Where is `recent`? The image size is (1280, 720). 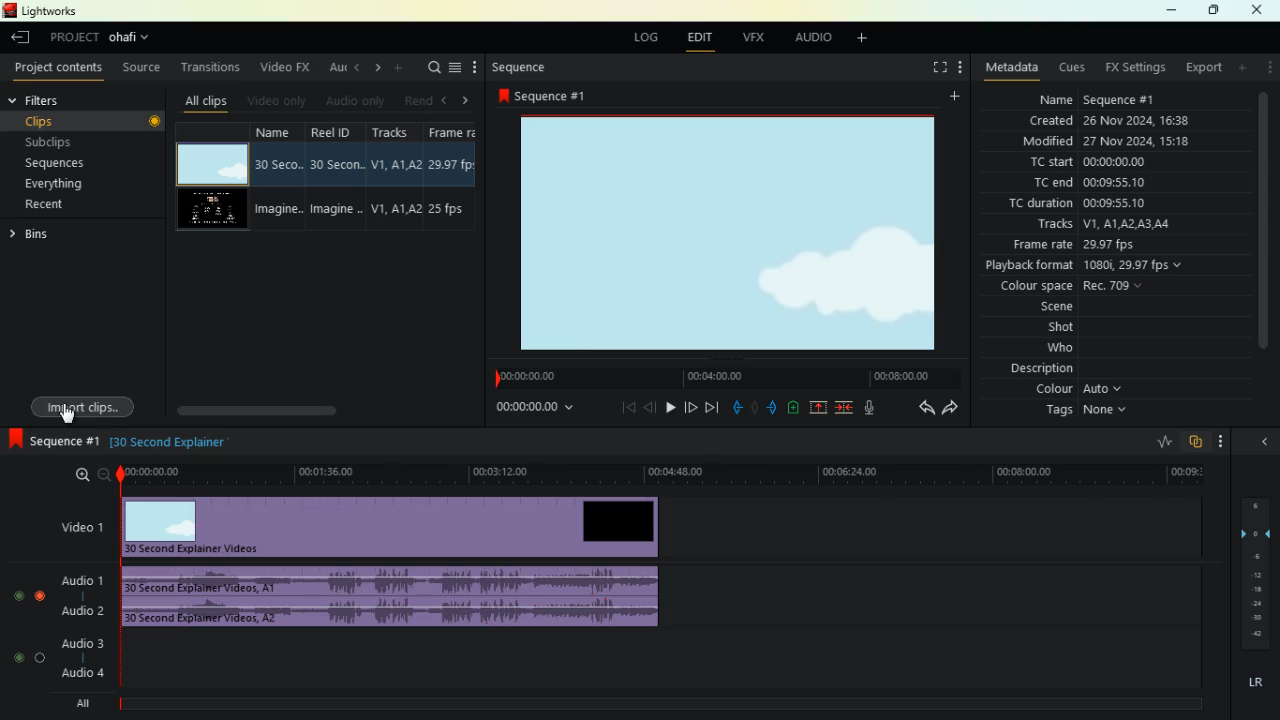 recent is located at coordinates (61, 204).